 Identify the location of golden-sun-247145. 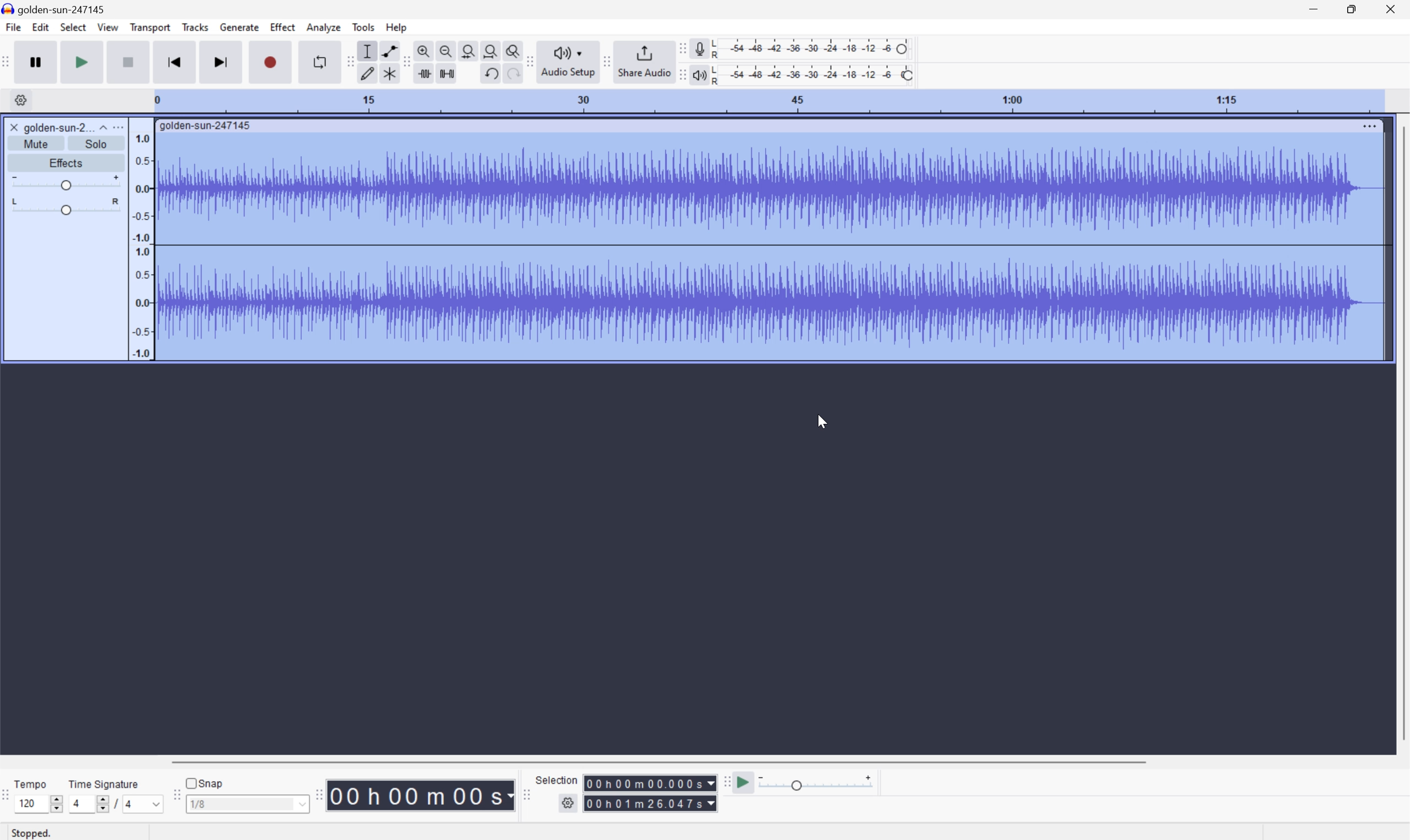
(57, 8).